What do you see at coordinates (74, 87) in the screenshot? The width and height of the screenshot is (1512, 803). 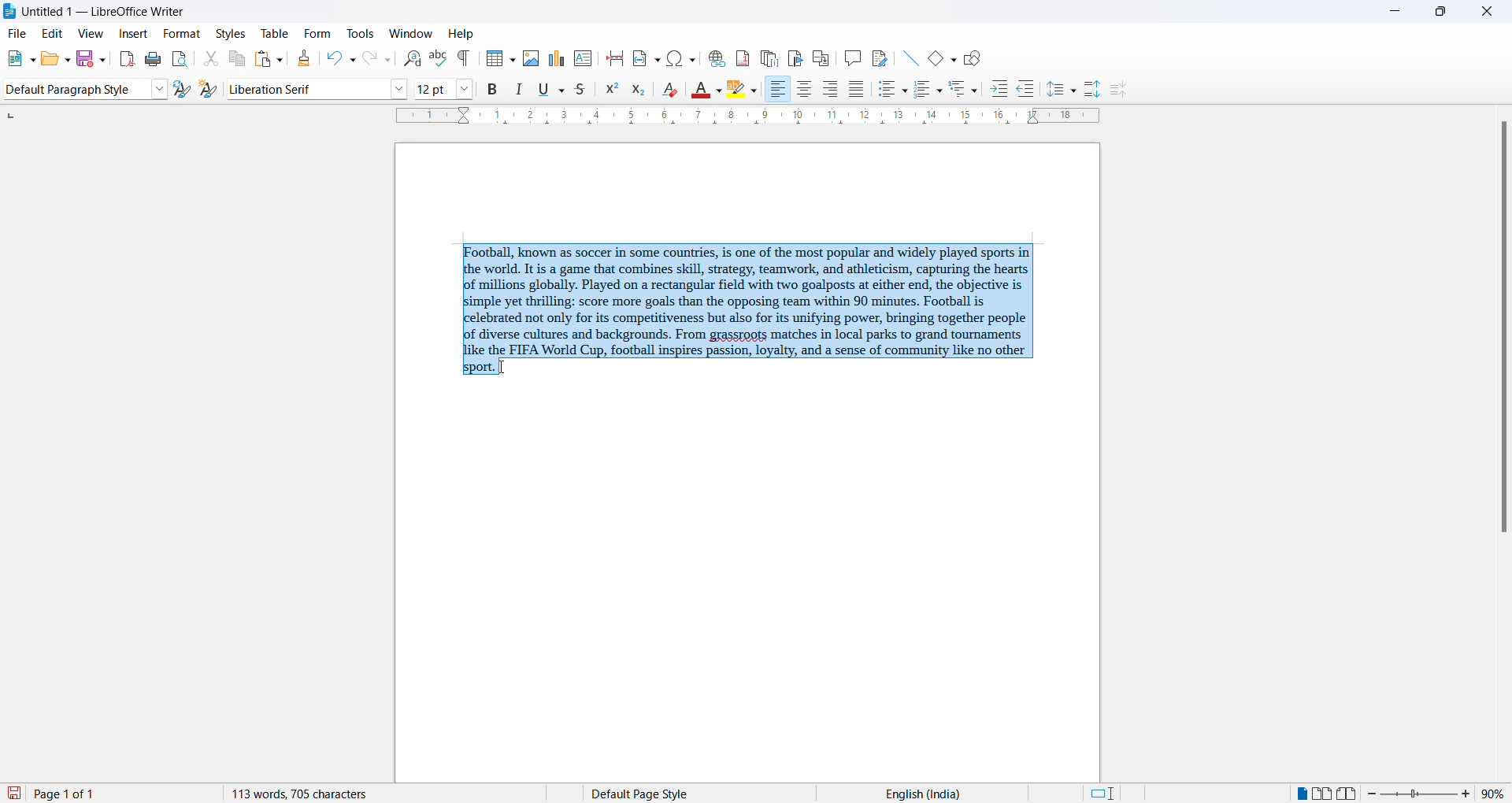 I see `paragraph style` at bounding box center [74, 87].